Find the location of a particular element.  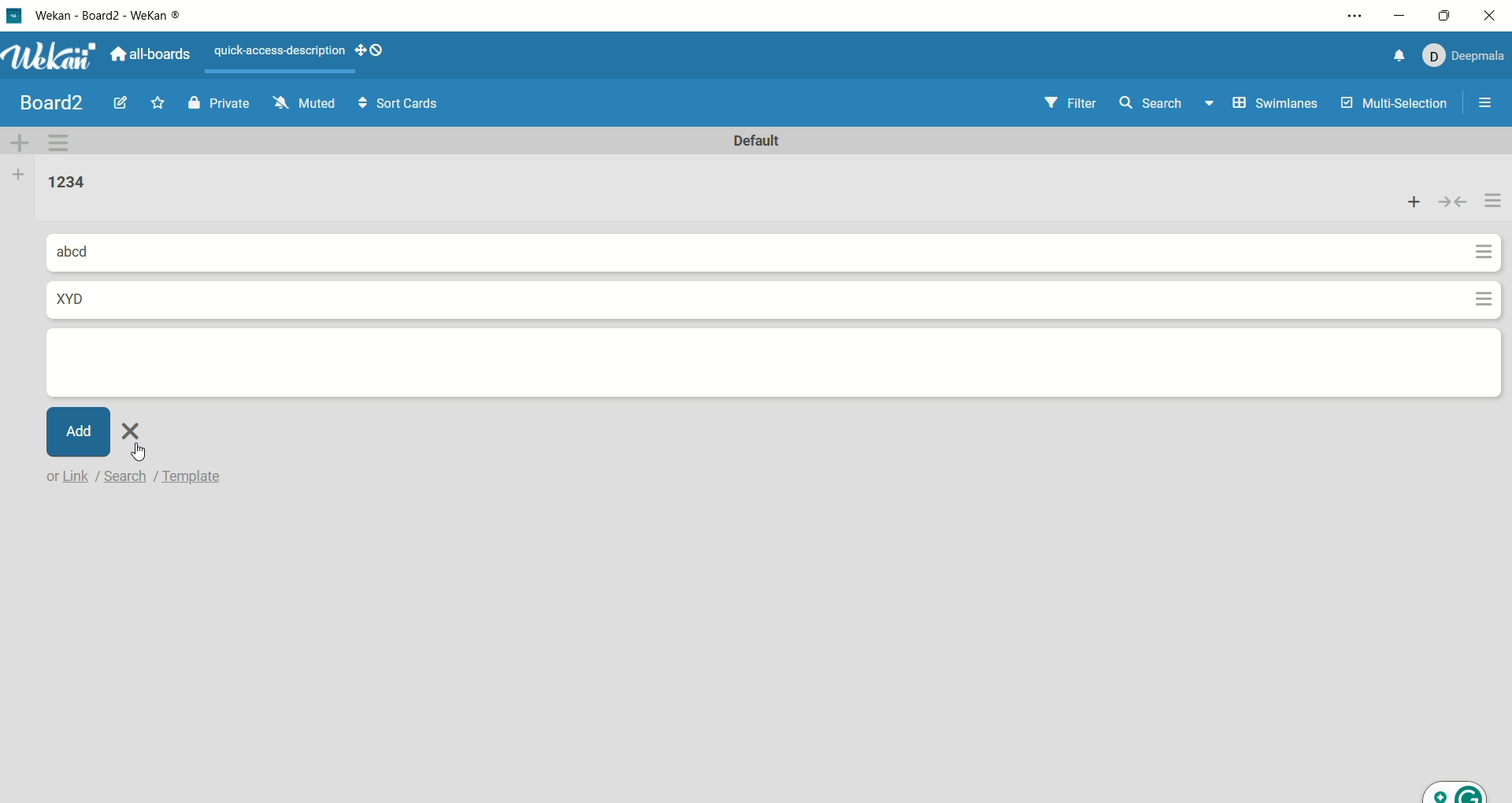

add list is located at coordinates (17, 174).